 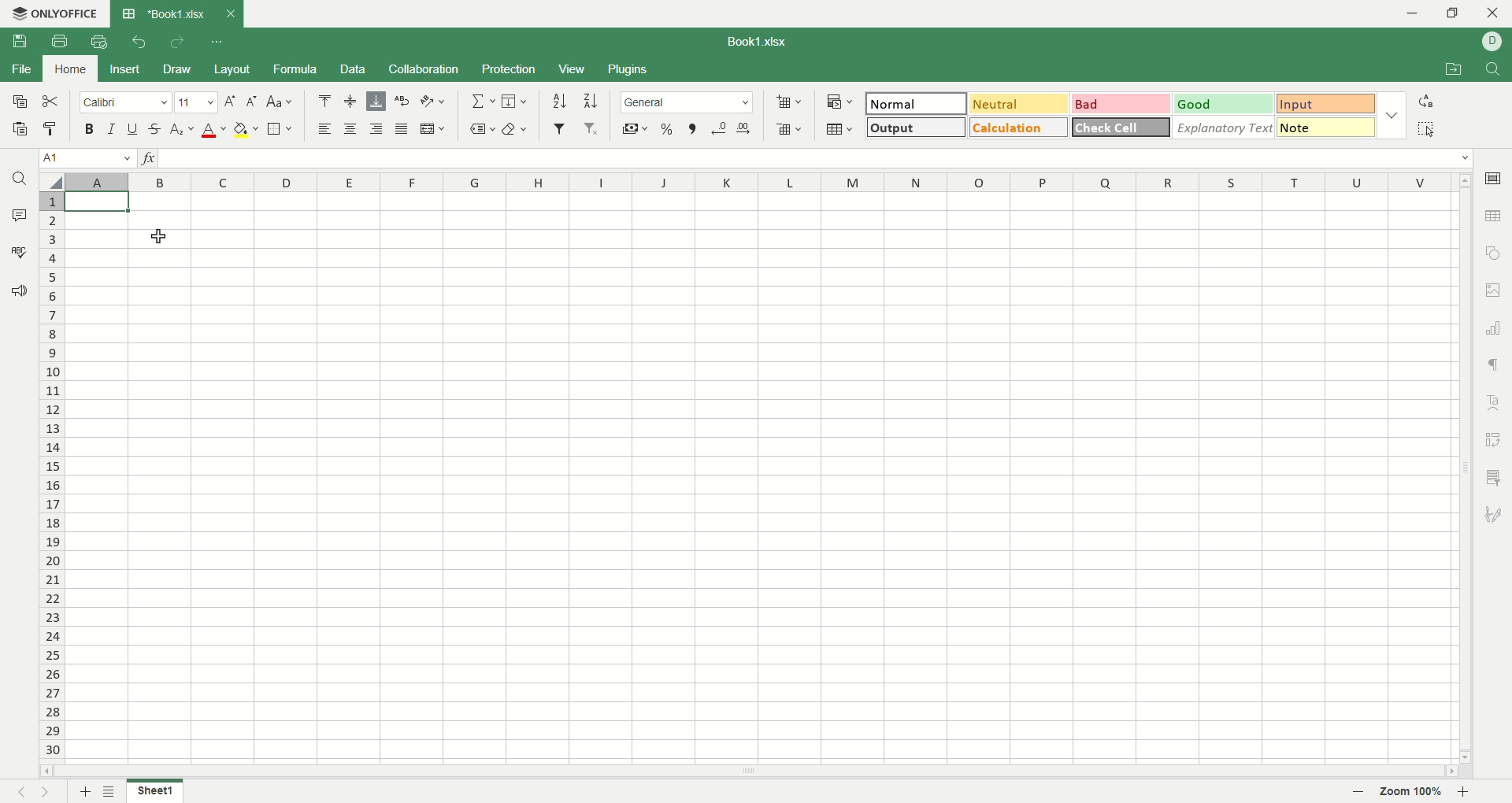 I want to click on wrap text, so click(x=400, y=101).